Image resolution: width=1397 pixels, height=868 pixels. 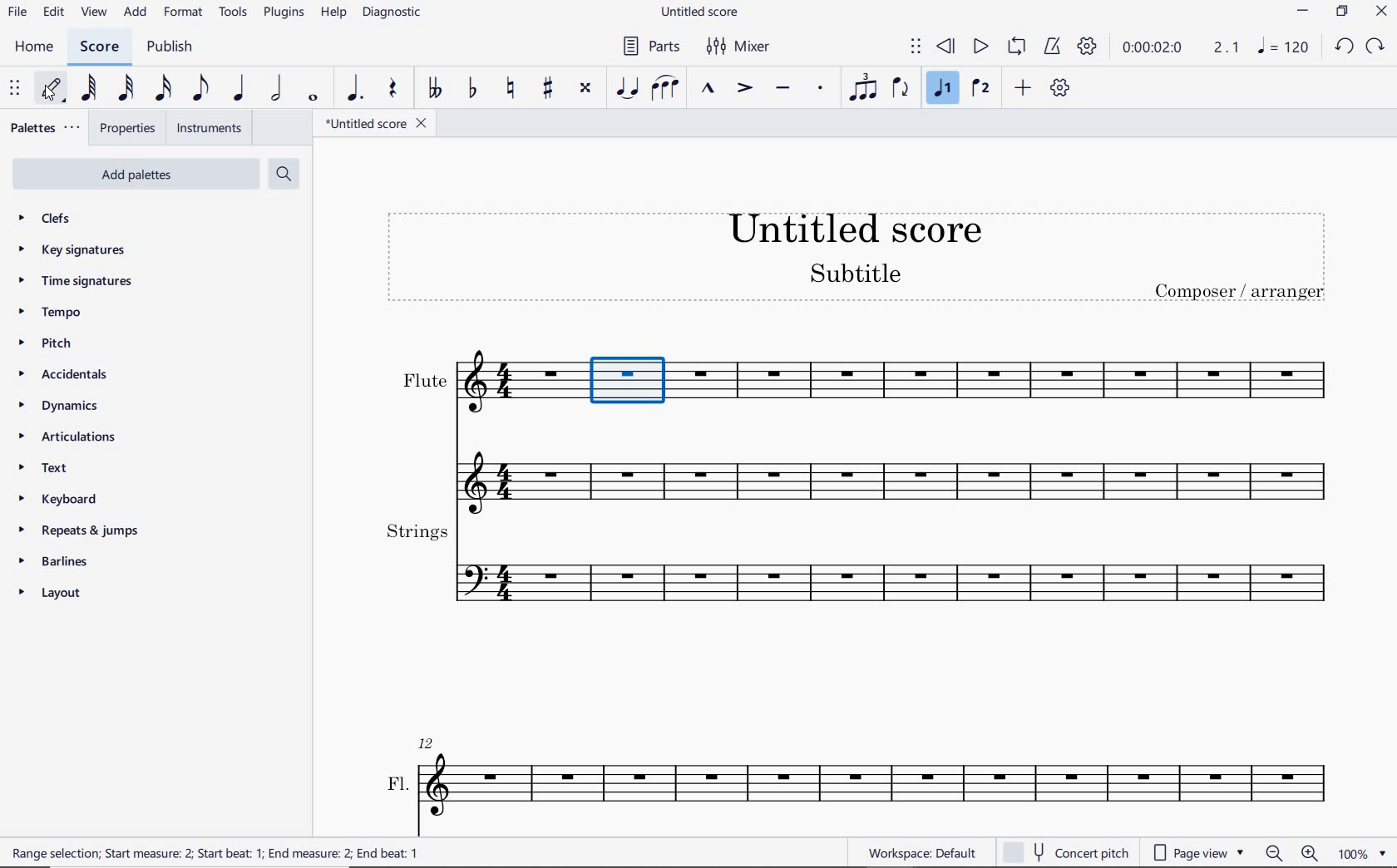 I want to click on PARTS, so click(x=654, y=47).